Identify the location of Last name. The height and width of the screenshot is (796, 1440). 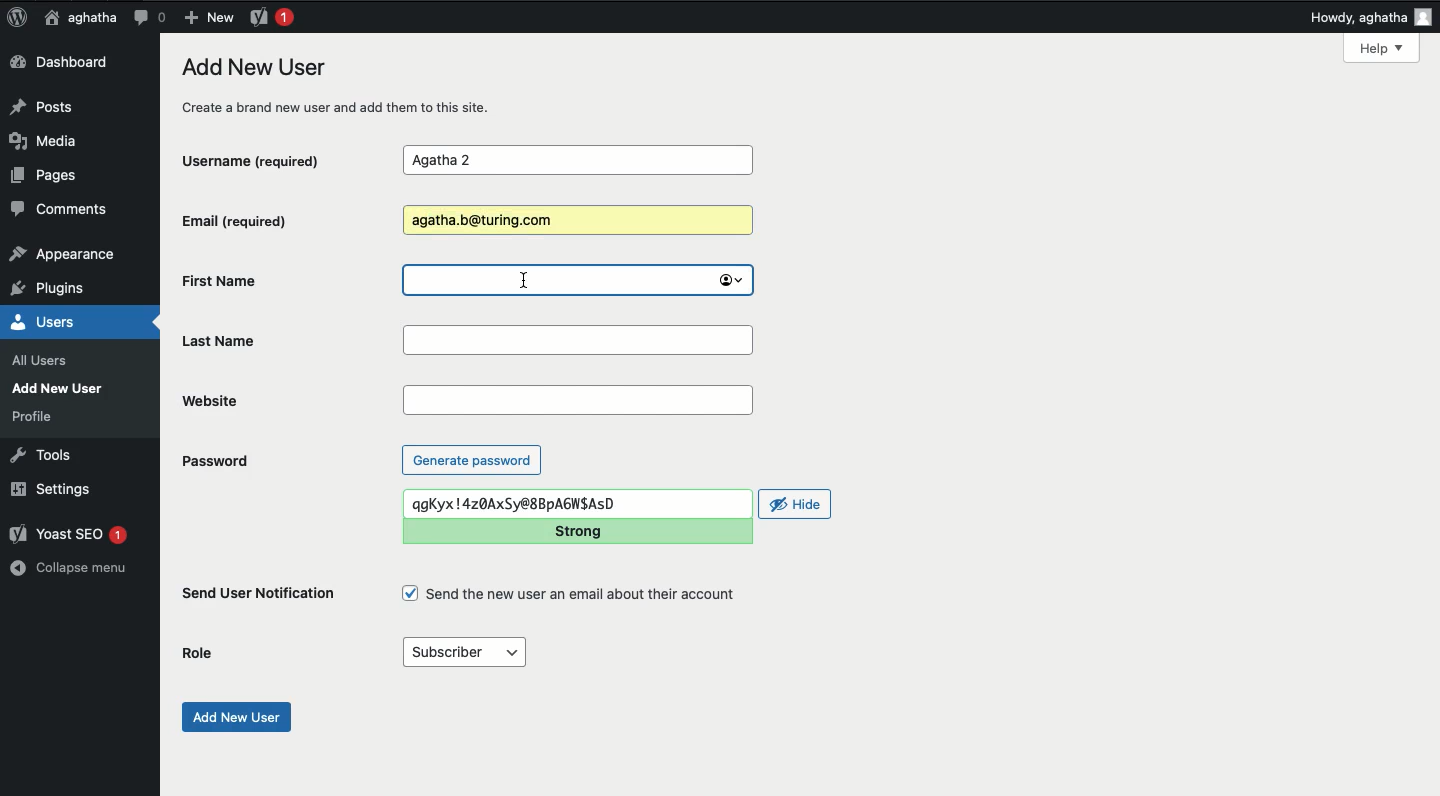
(579, 342).